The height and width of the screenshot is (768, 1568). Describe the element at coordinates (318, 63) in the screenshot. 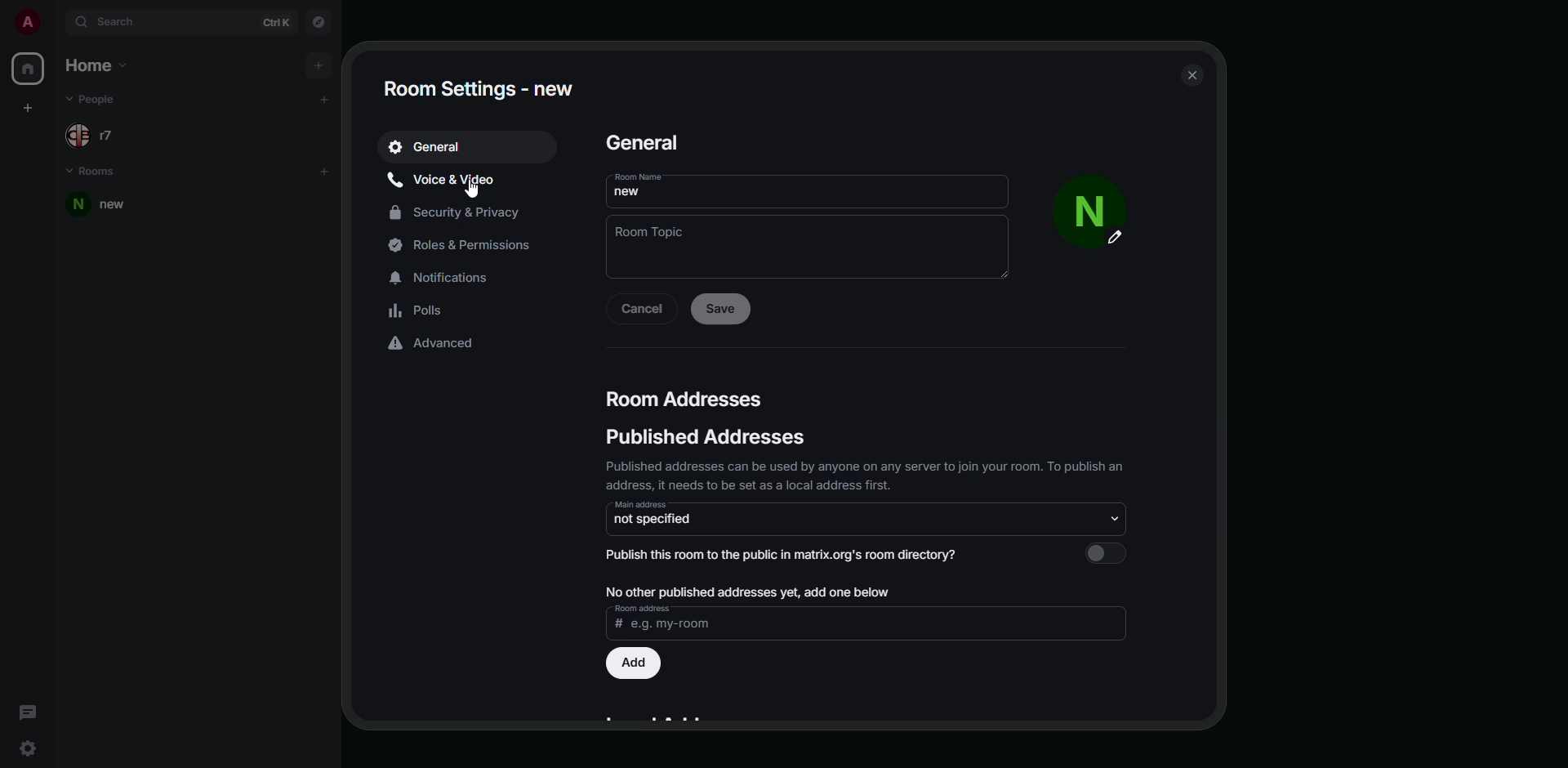

I see `add` at that location.